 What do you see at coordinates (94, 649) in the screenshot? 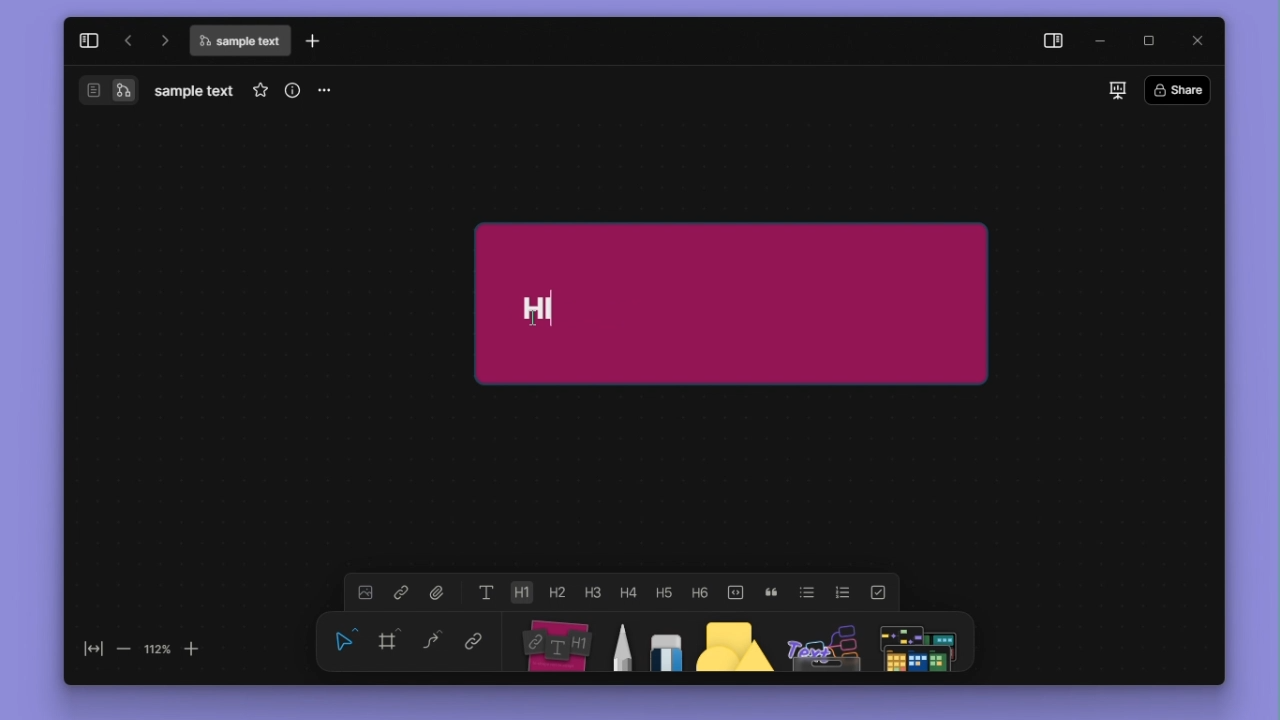
I see `fit to screen` at bounding box center [94, 649].